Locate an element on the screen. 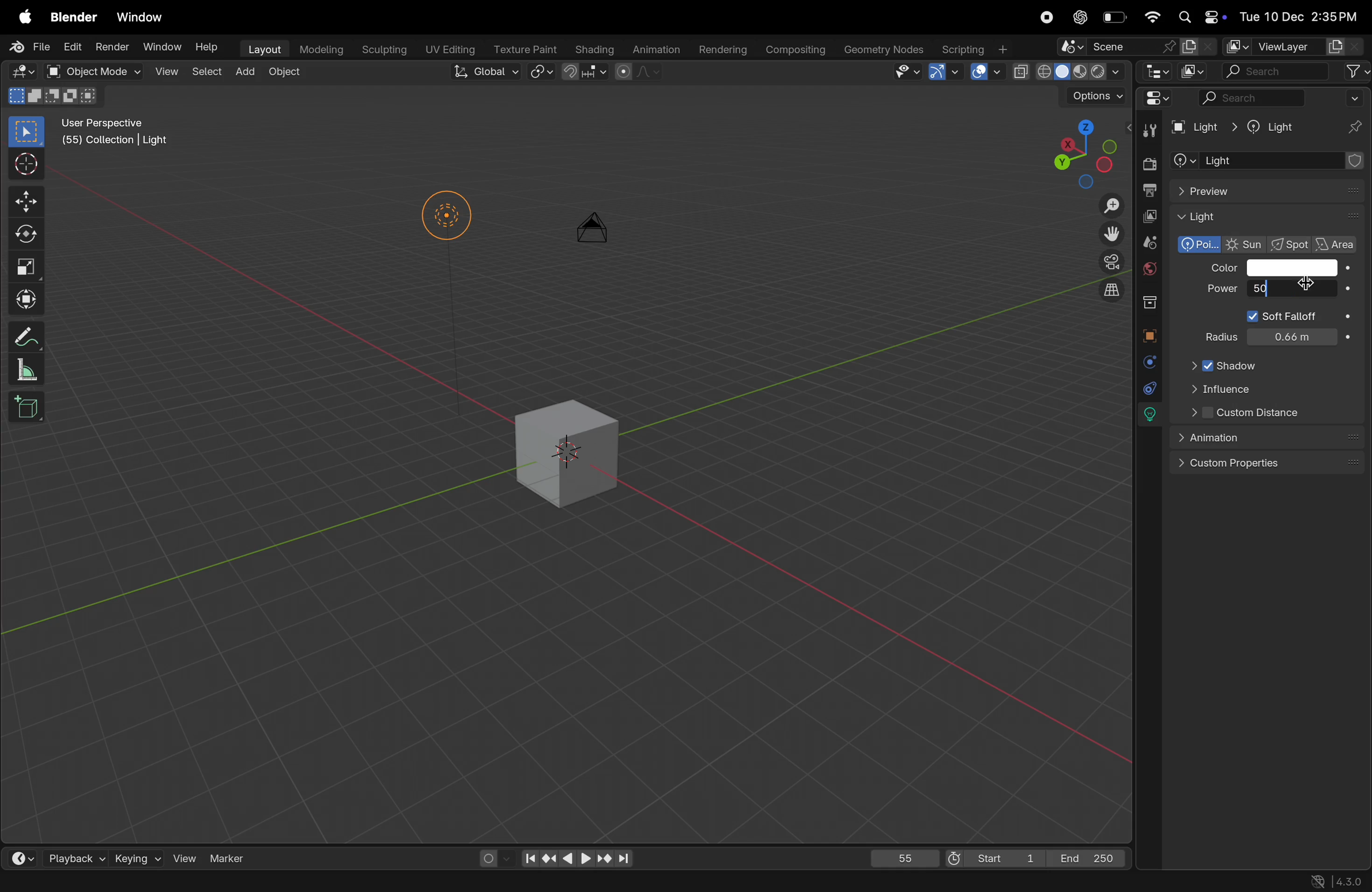 The height and width of the screenshot is (892, 1372). apple widgets is located at coordinates (1199, 16).